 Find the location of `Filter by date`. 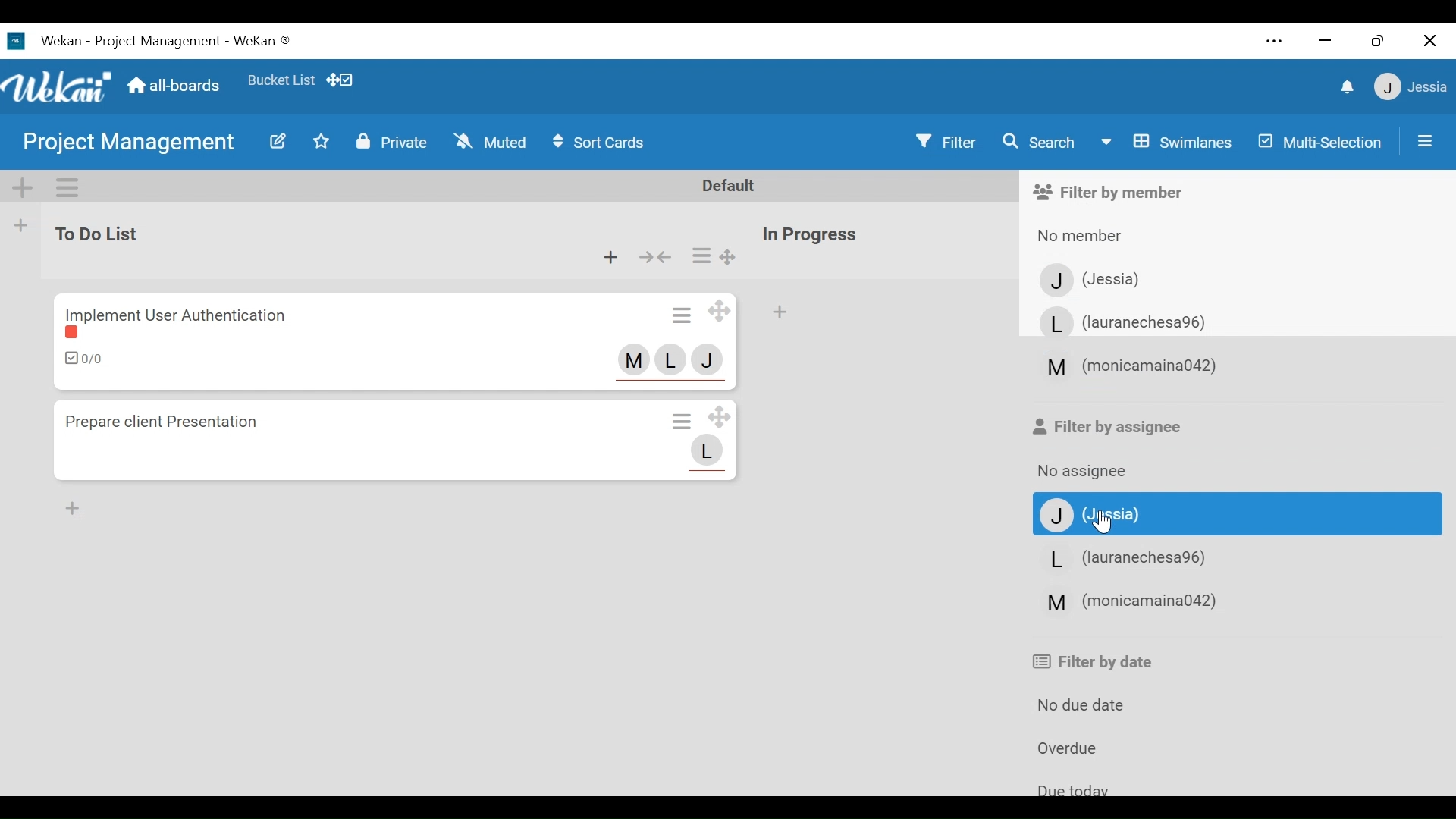

Filter by date is located at coordinates (1100, 662).